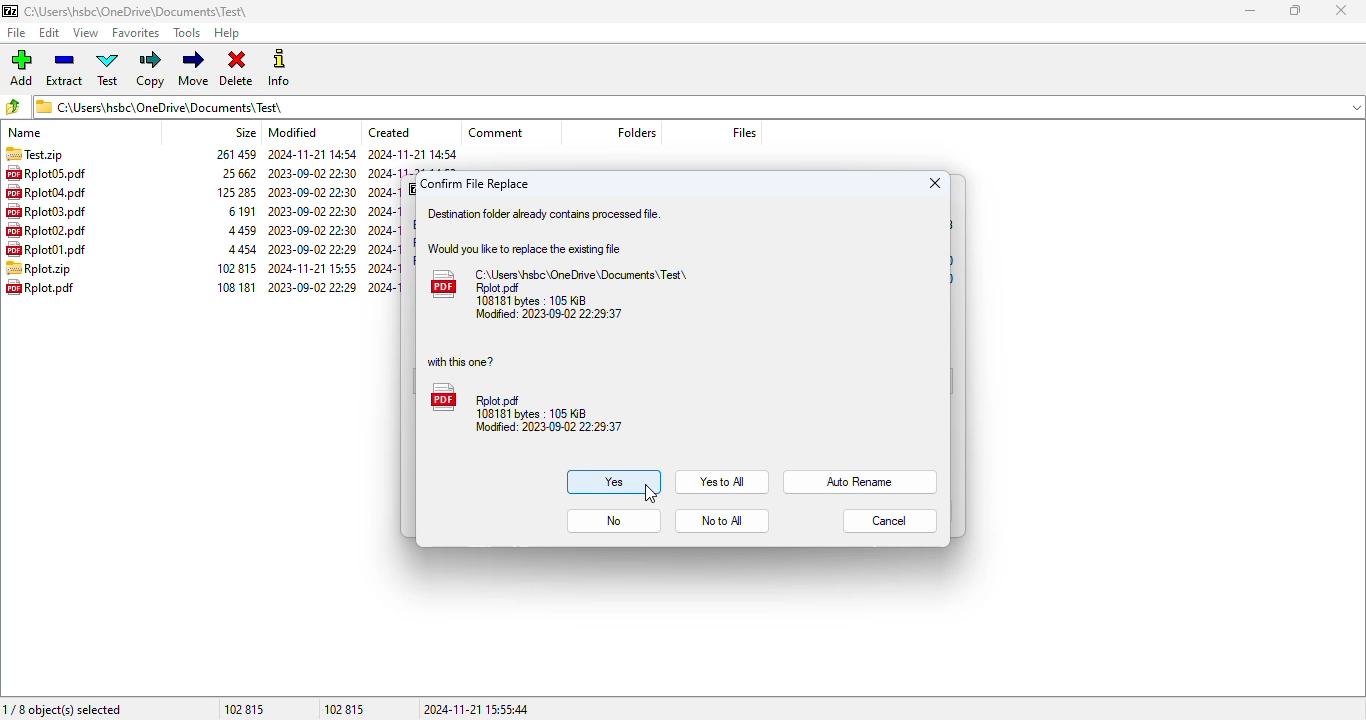 This screenshot has width=1366, height=720. Describe the element at coordinates (51, 192) in the screenshot. I see `RplotO4.pdf` at that location.